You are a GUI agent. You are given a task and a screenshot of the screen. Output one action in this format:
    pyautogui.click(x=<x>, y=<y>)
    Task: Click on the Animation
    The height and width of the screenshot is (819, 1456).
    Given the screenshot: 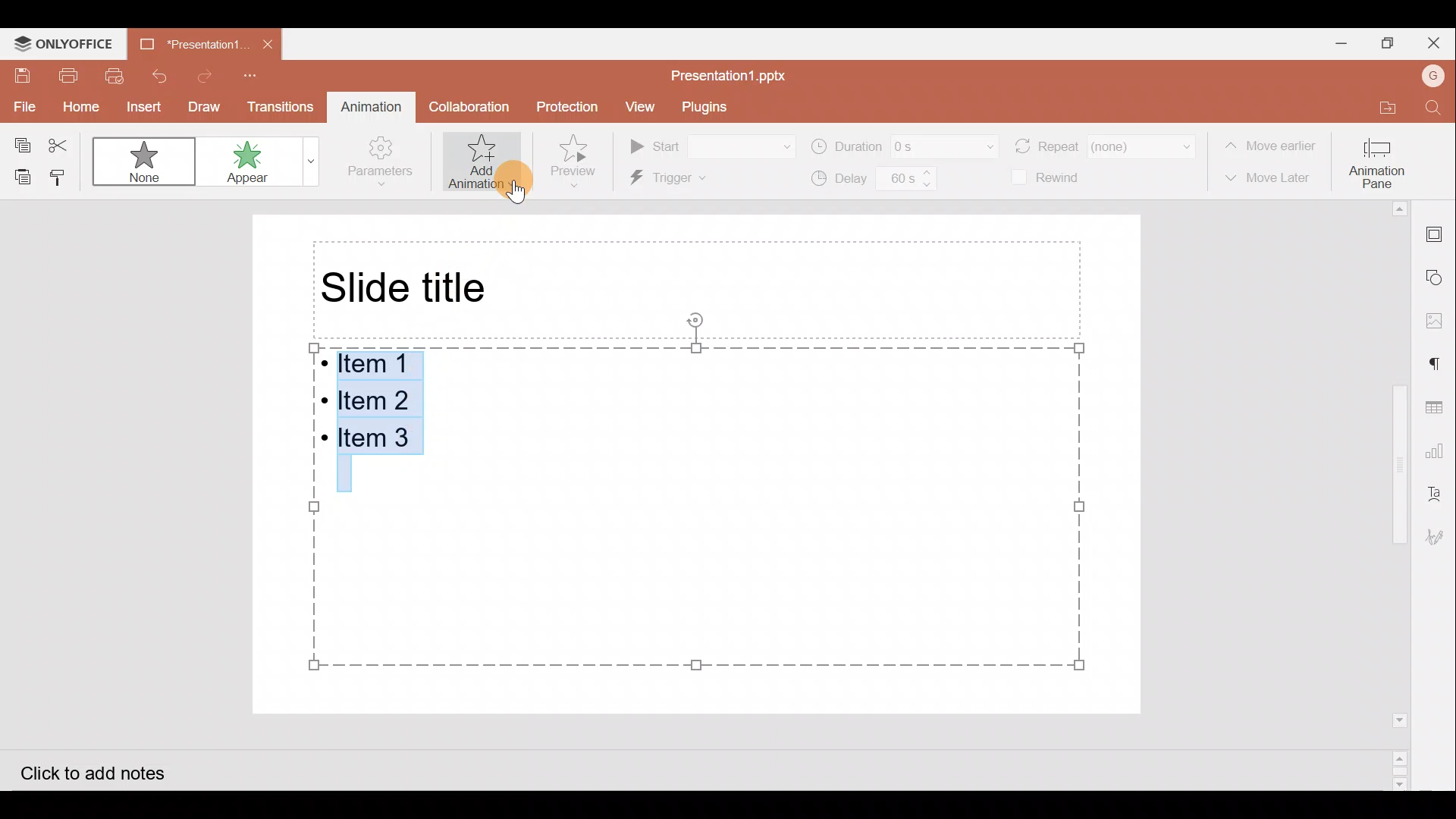 What is the action you would take?
    pyautogui.click(x=369, y=104)
    